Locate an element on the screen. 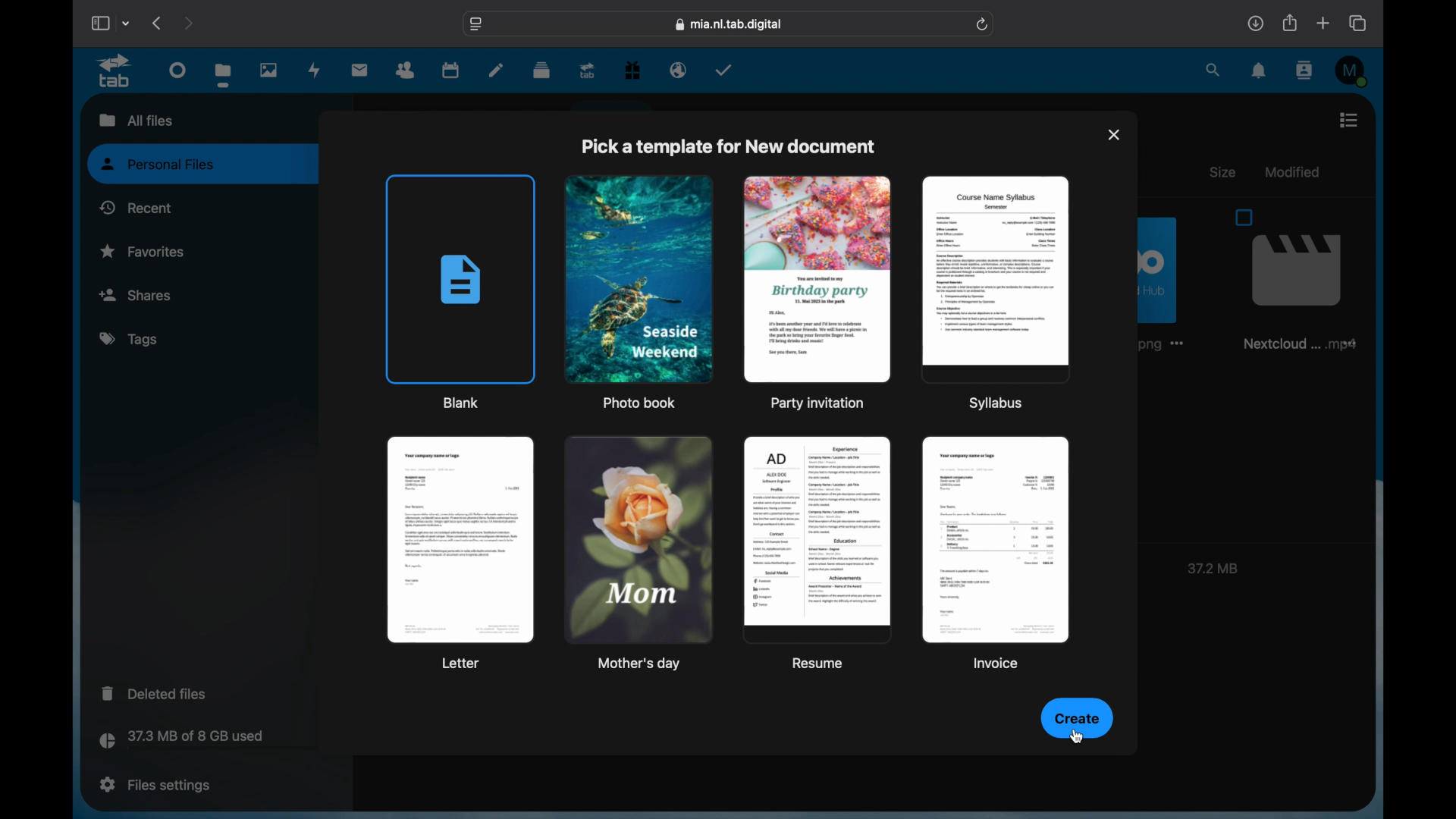  website settings is located at coordinates (476, 24).